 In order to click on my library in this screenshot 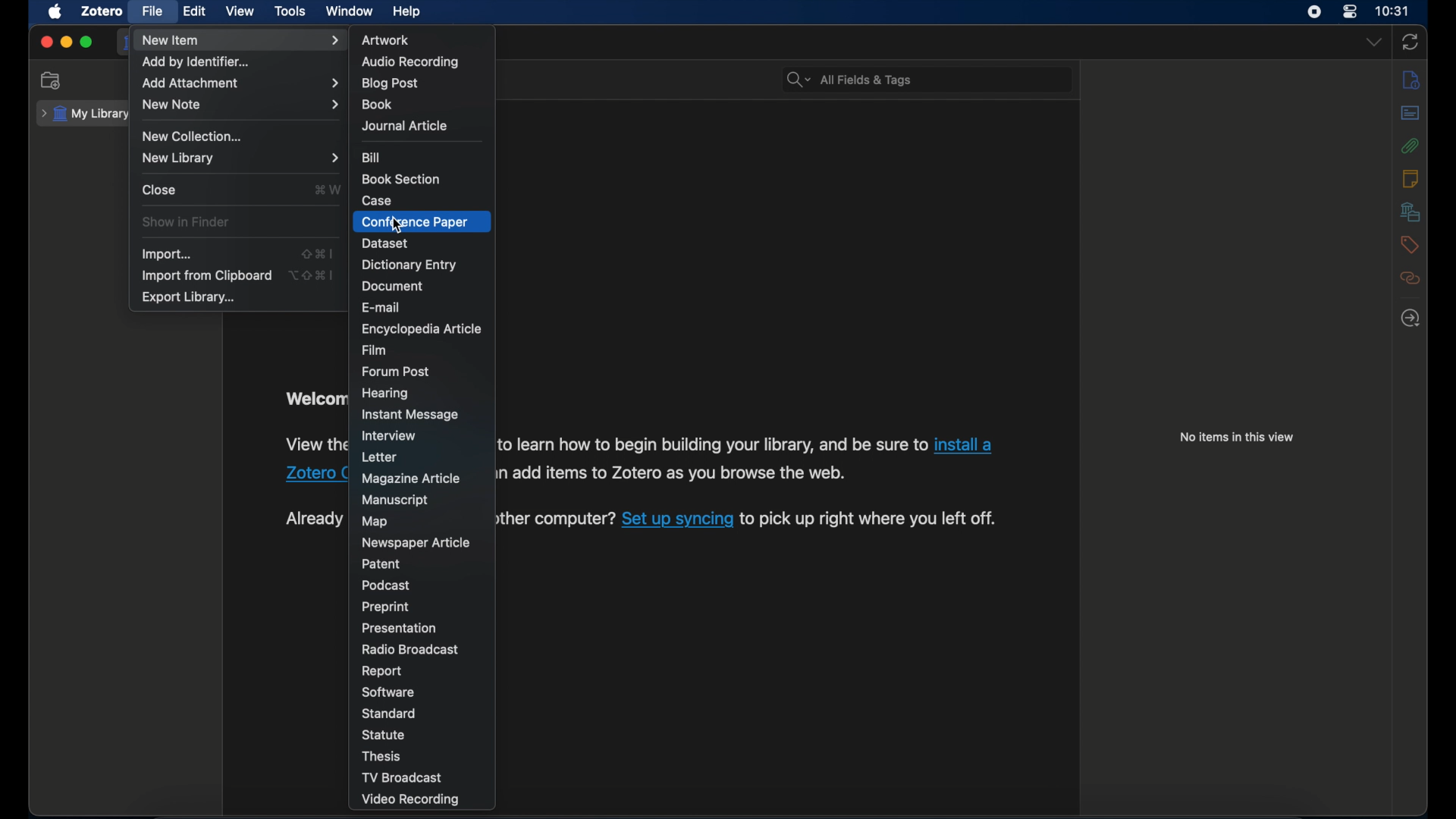, I will do `click(85, 115)`.